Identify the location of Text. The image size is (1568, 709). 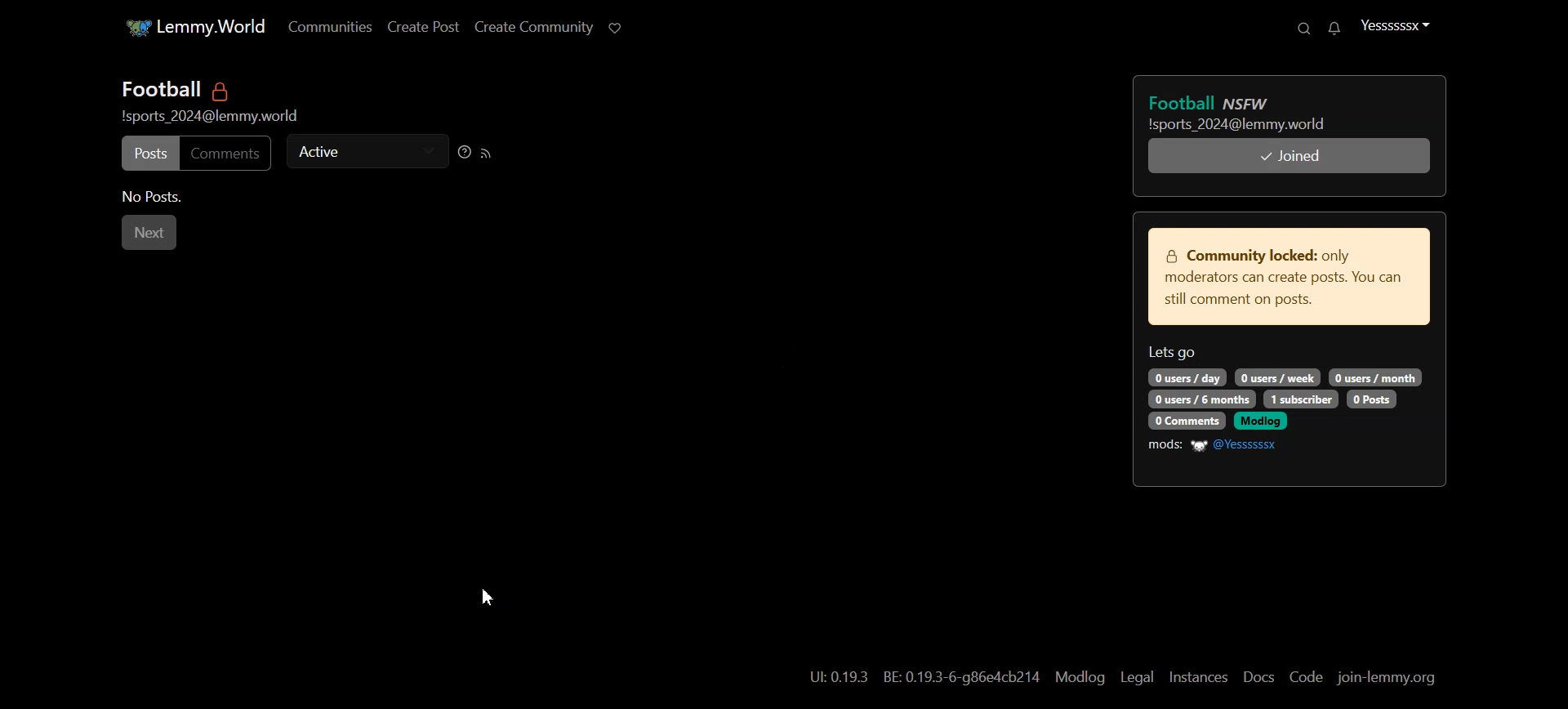
(153, 198).